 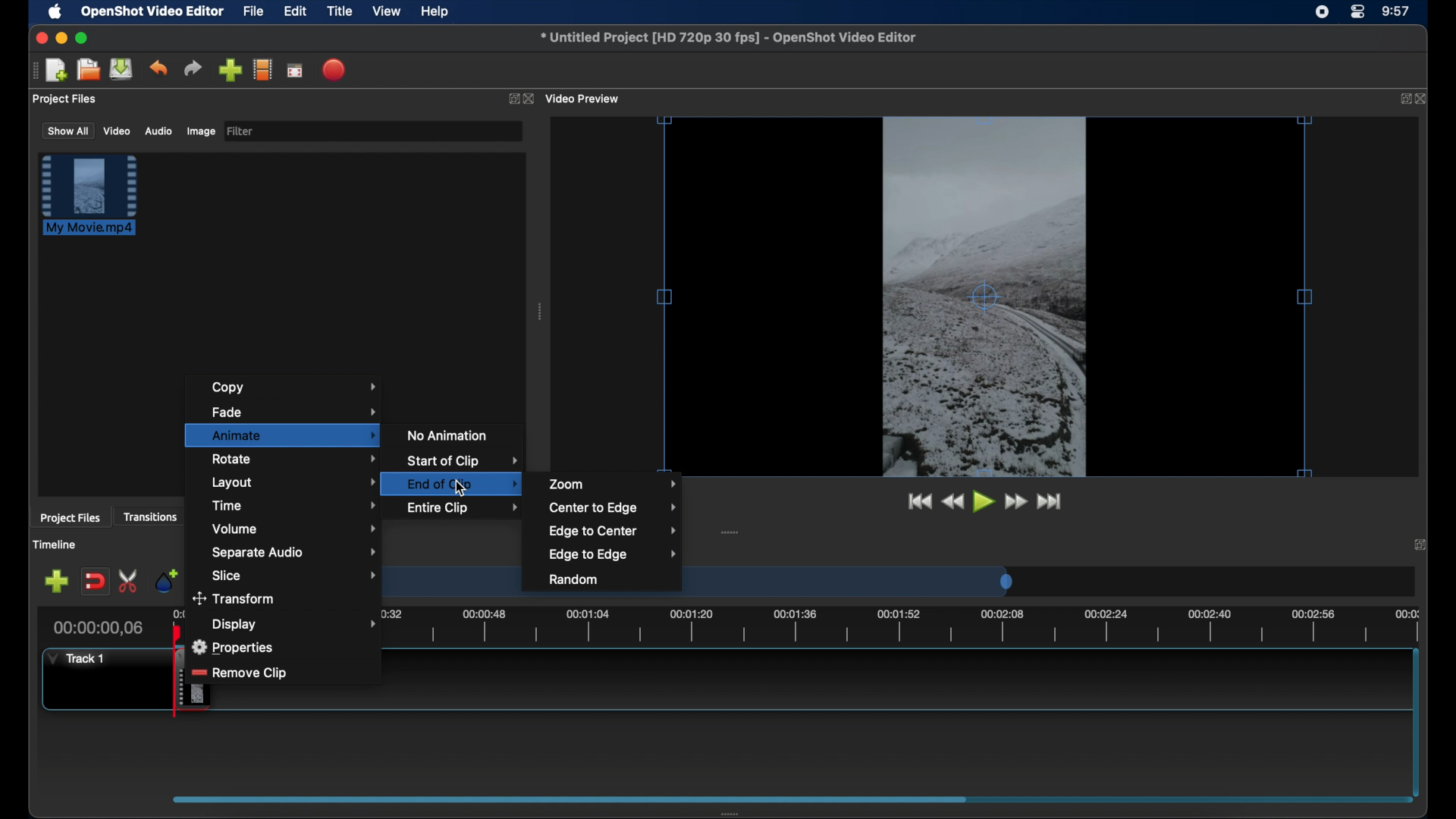 What do you see at coordinates (1401, 99) in the screenshot?
I see `expand` at bounding box center [1401, 99].